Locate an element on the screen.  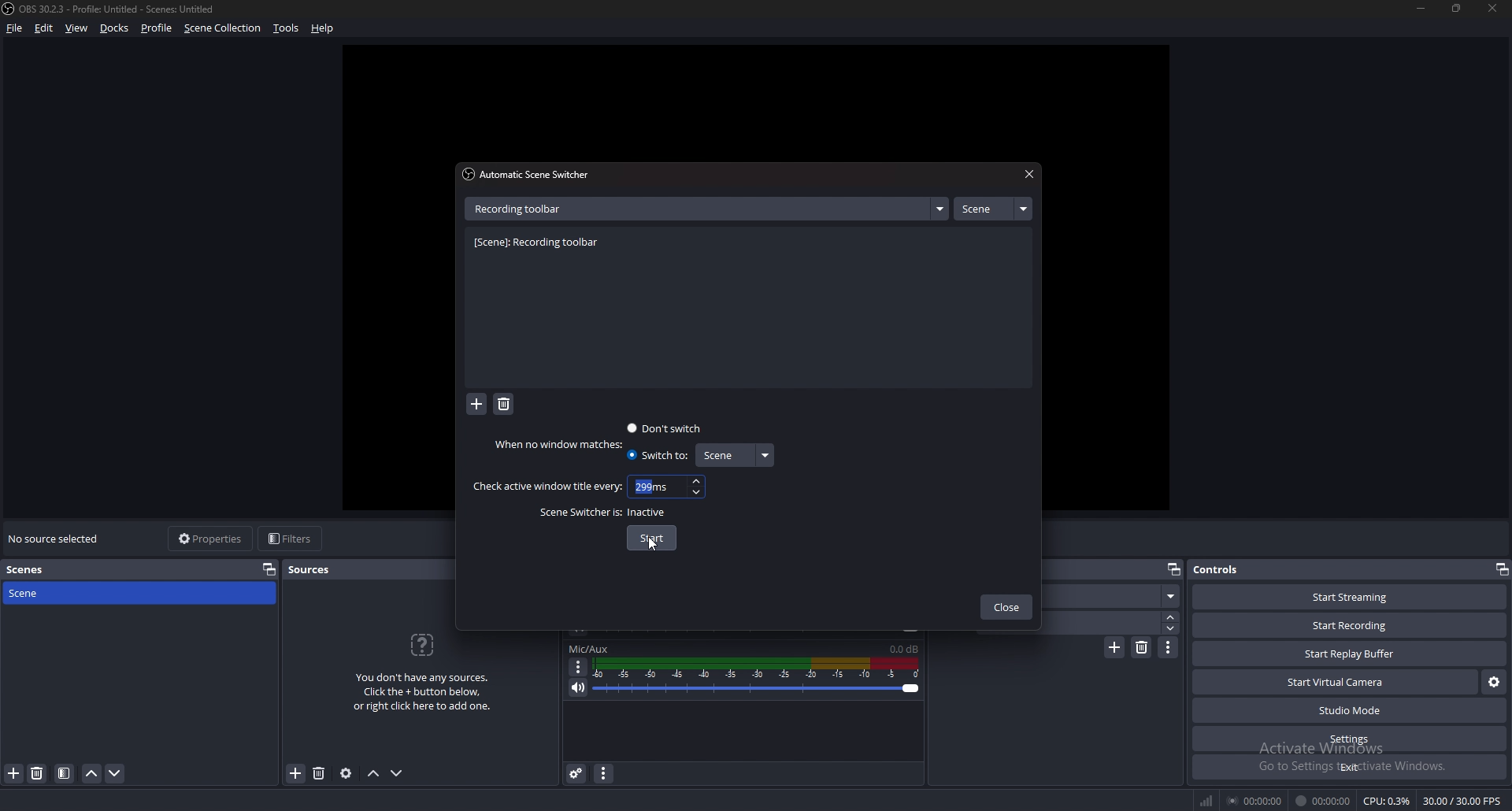
start replay buffer is located at coordinates (1351, 654).